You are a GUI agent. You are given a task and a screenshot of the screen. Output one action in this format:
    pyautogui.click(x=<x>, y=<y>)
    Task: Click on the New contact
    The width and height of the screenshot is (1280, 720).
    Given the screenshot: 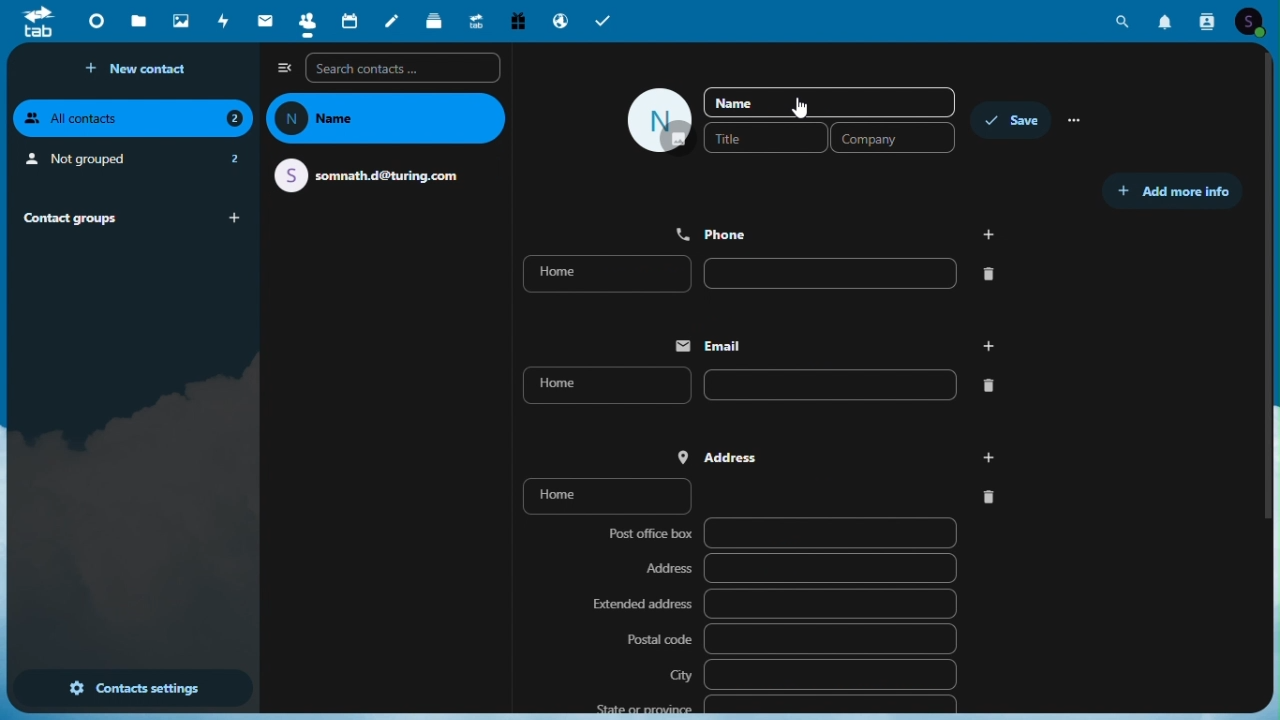 What is the action you would take?
    pyautogui.click(x=142, y=69)
    